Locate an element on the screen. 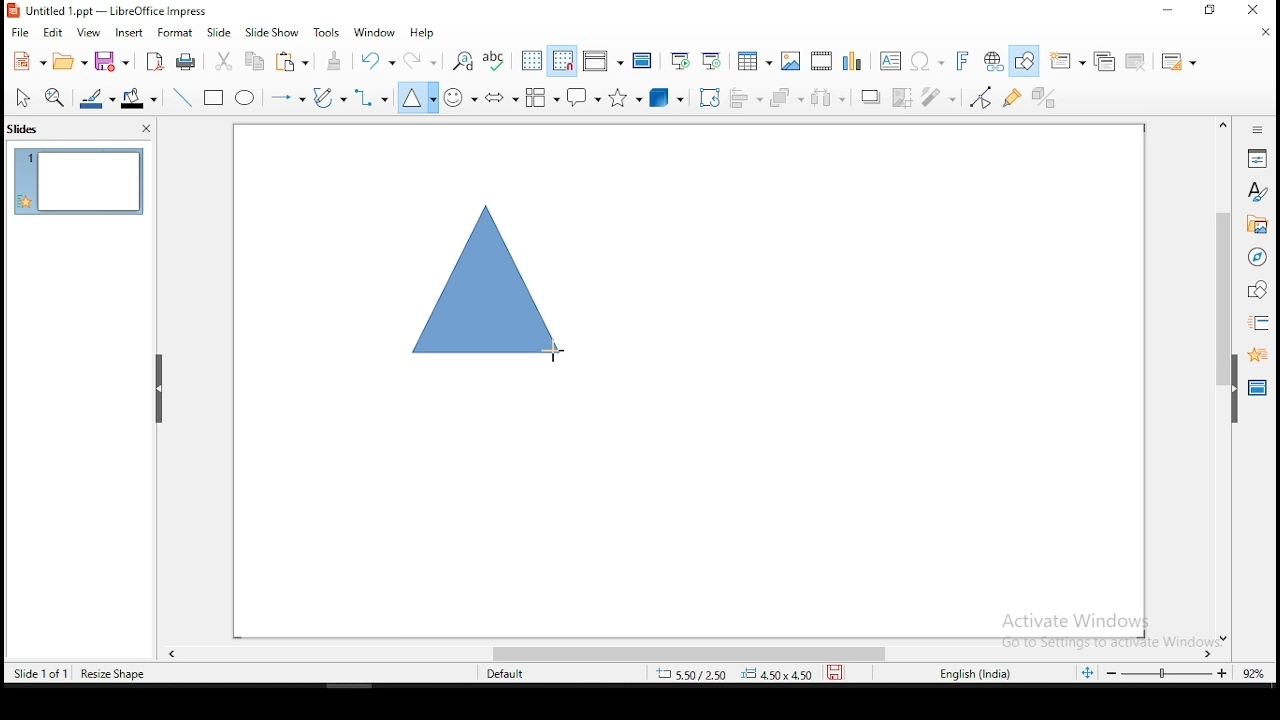 The height and width of the screenshot is (720, 1280). delete slide is located at coordinates (1135, 60).